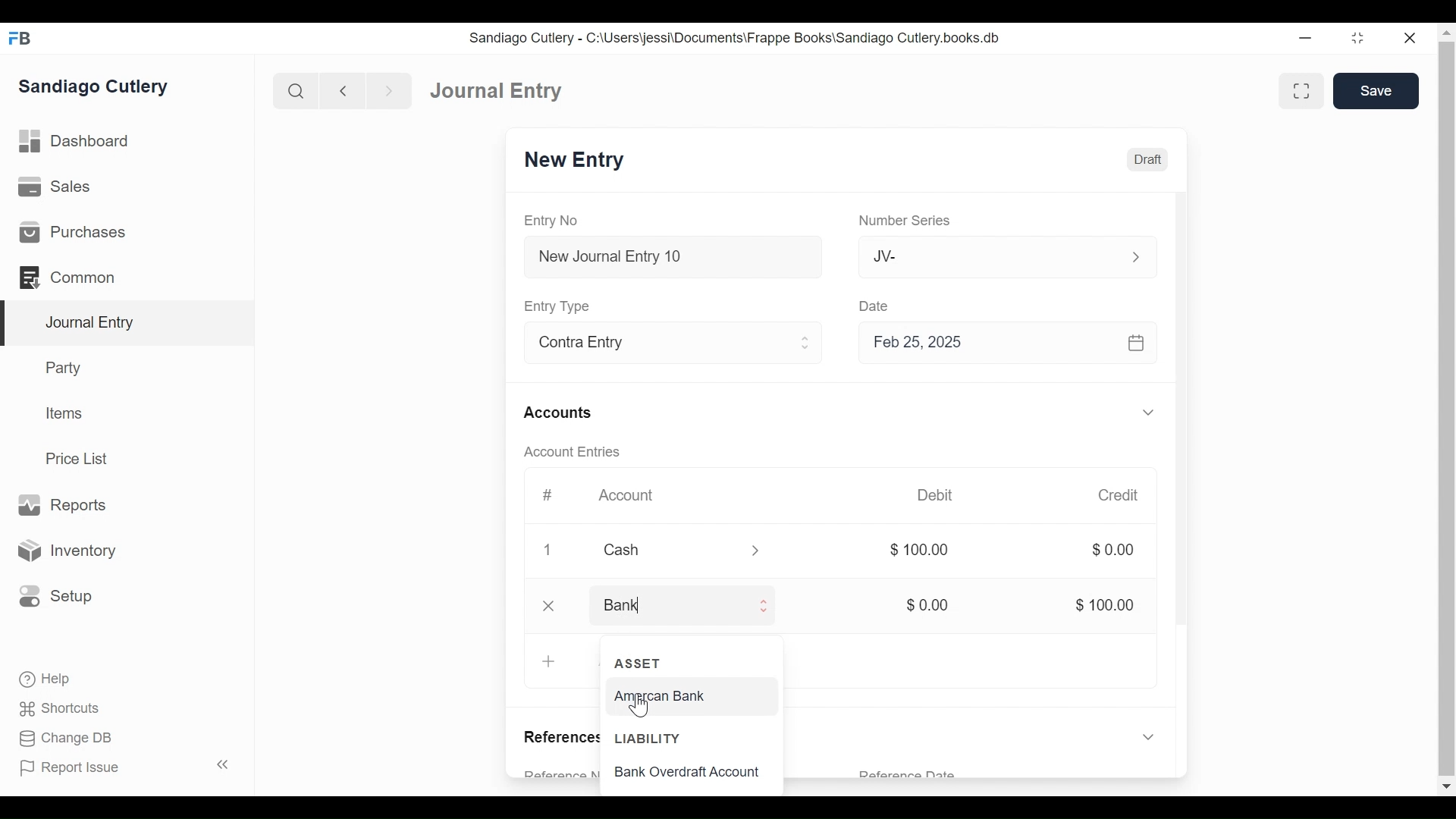 The height and width of the screenshot is (819, 1456). I want to click on Frappe Books Desktop icon, so click(19, 38).